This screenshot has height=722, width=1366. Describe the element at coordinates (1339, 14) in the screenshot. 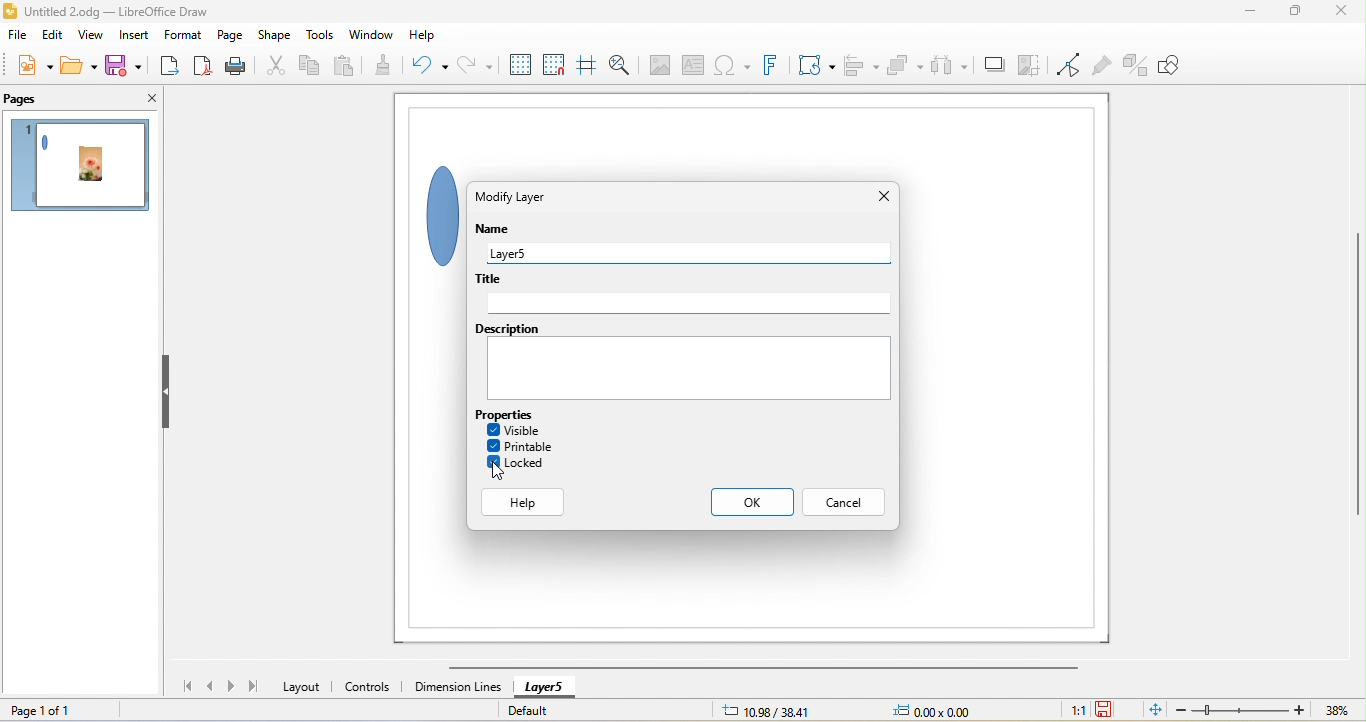

I see `close` at that location.